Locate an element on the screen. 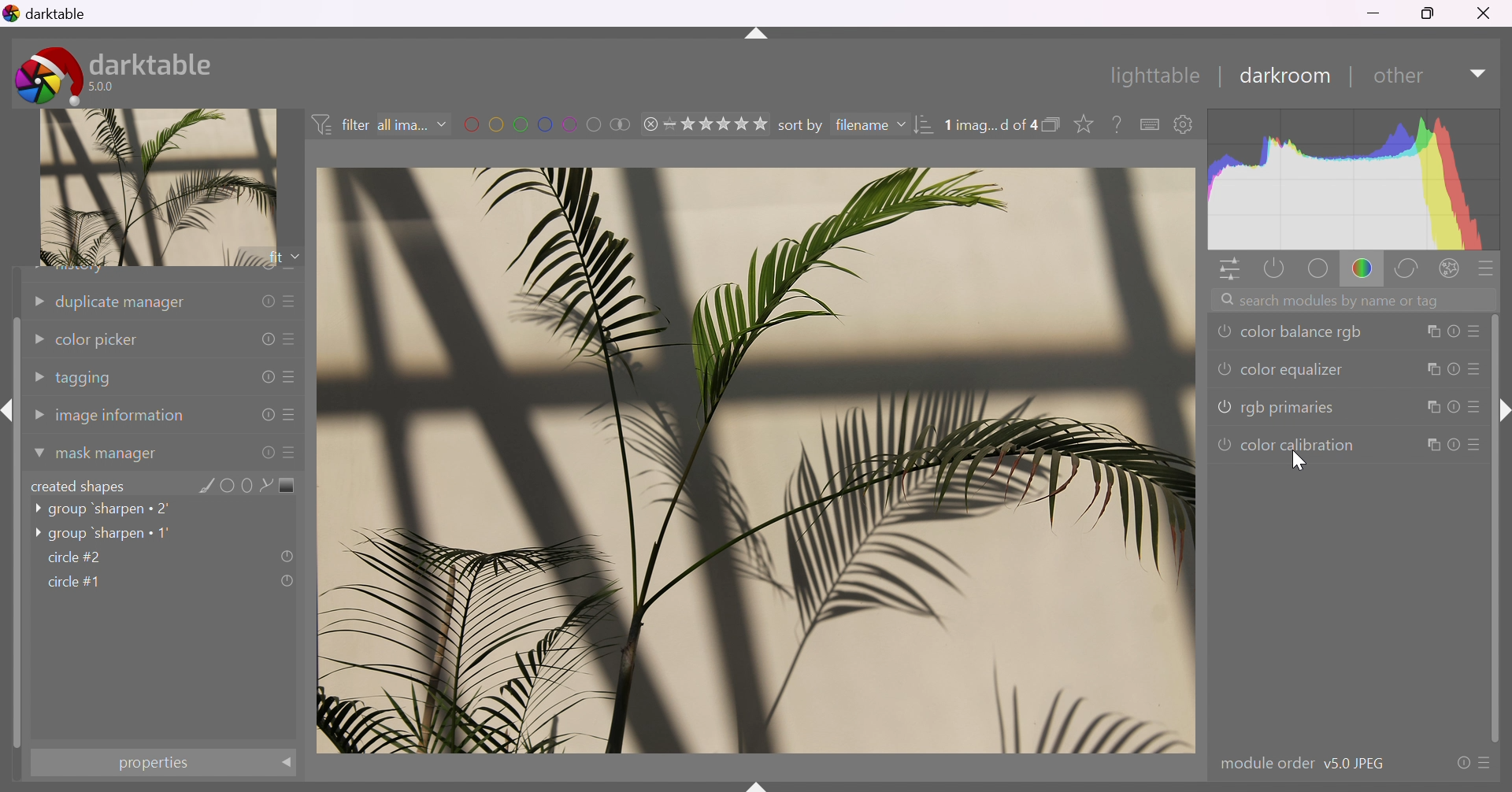  color calibration is located at coordinates (1348, 446).